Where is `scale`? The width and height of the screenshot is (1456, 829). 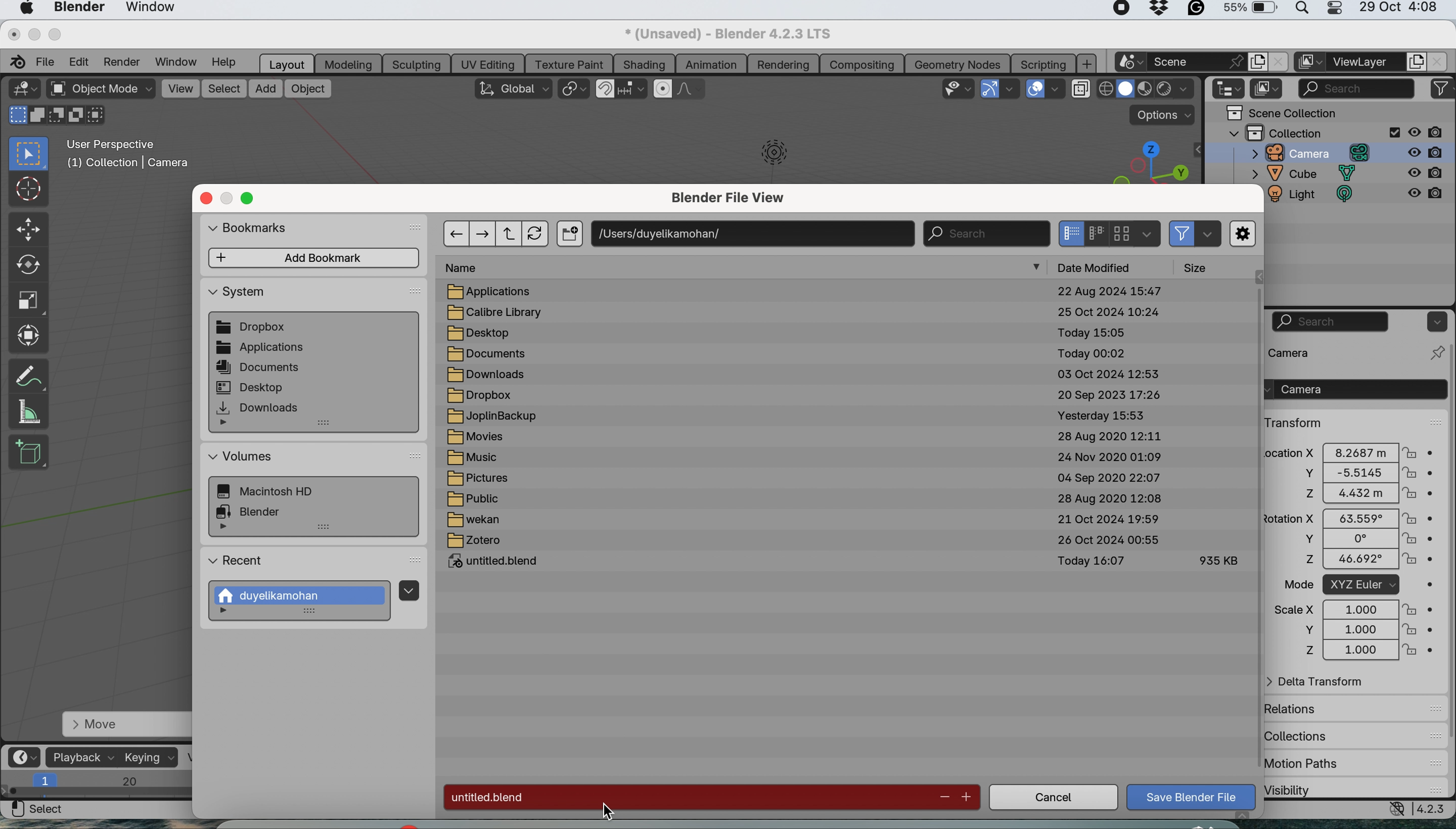 scale is located at coordinates (26, 298).